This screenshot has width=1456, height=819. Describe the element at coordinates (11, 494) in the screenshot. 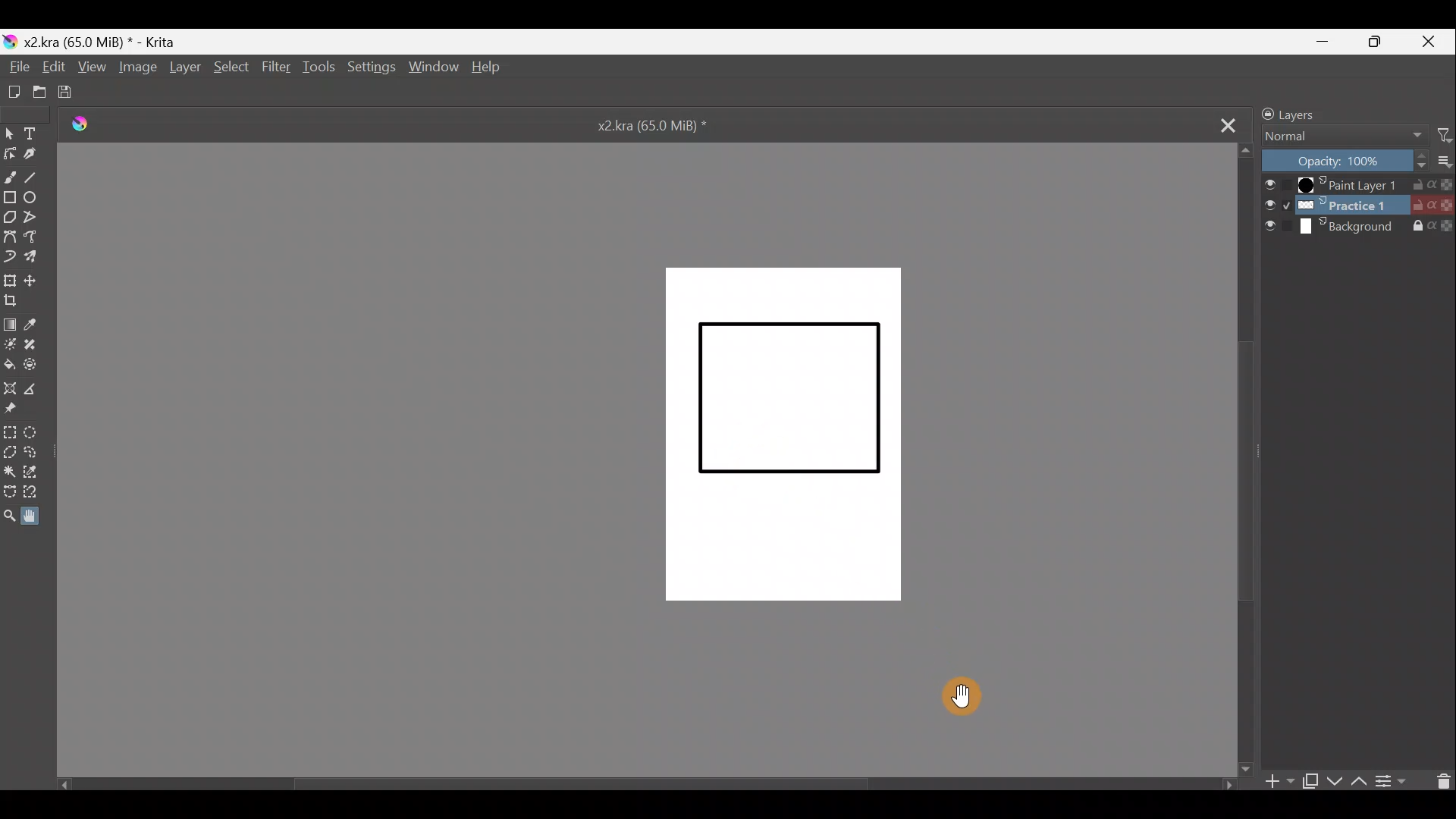

I see `Bezier curve selection tool` at that location.